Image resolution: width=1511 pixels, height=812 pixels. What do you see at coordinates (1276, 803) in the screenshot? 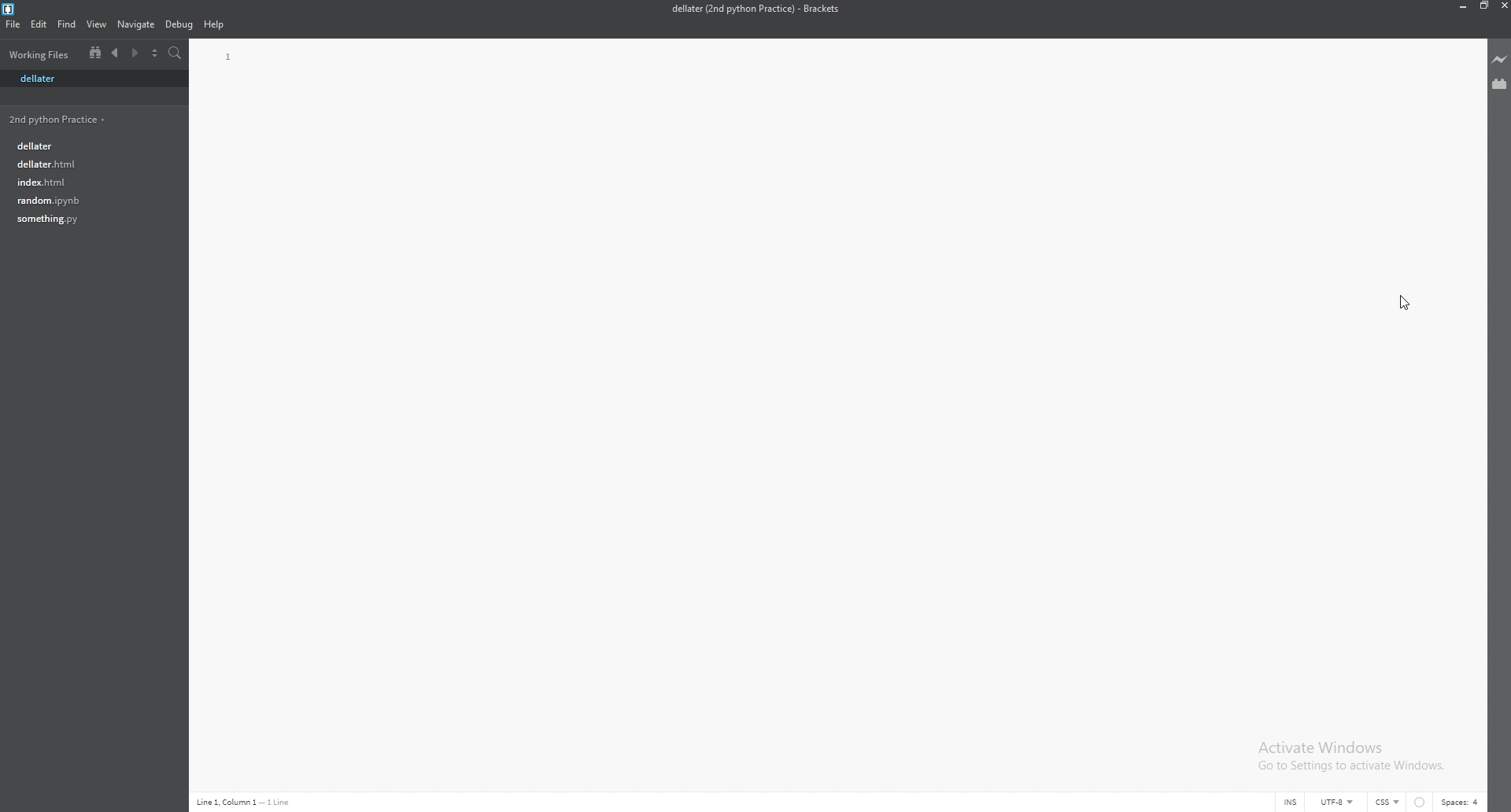
I see `cursor mode` at bounding box center [1276, 803].